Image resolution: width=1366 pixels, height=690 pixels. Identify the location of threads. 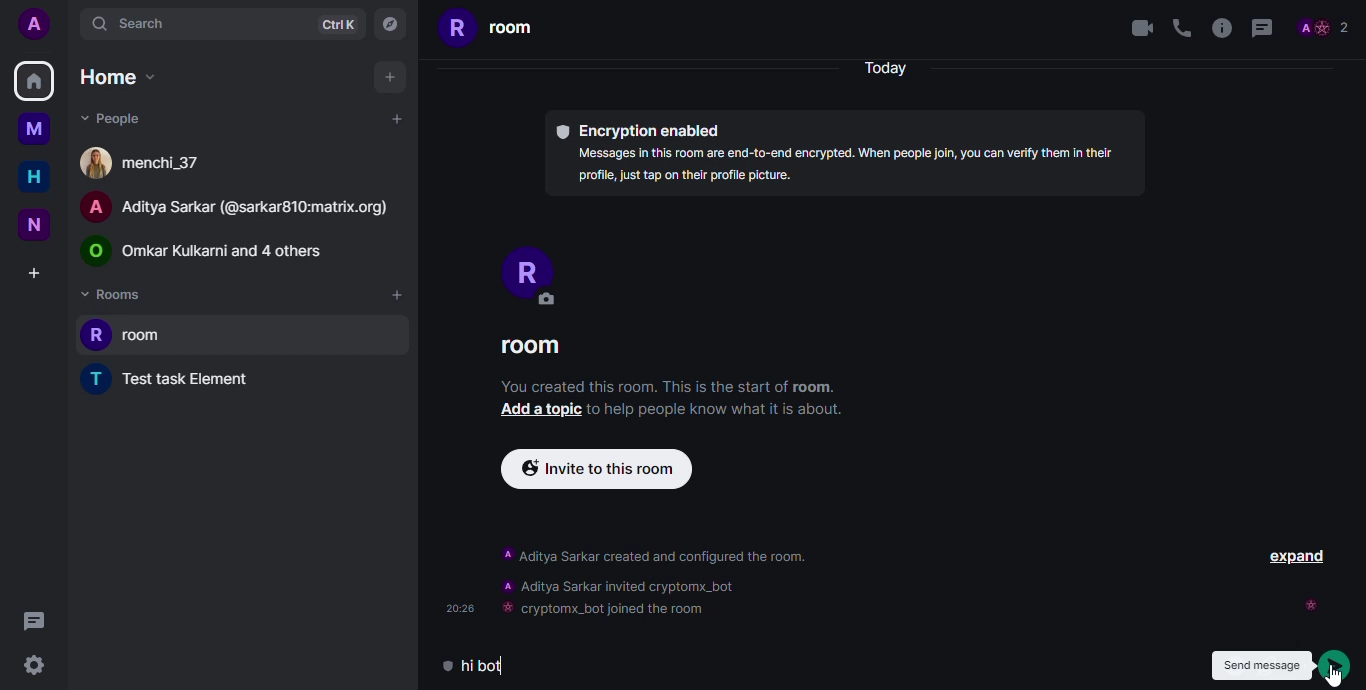
(1267, 27).